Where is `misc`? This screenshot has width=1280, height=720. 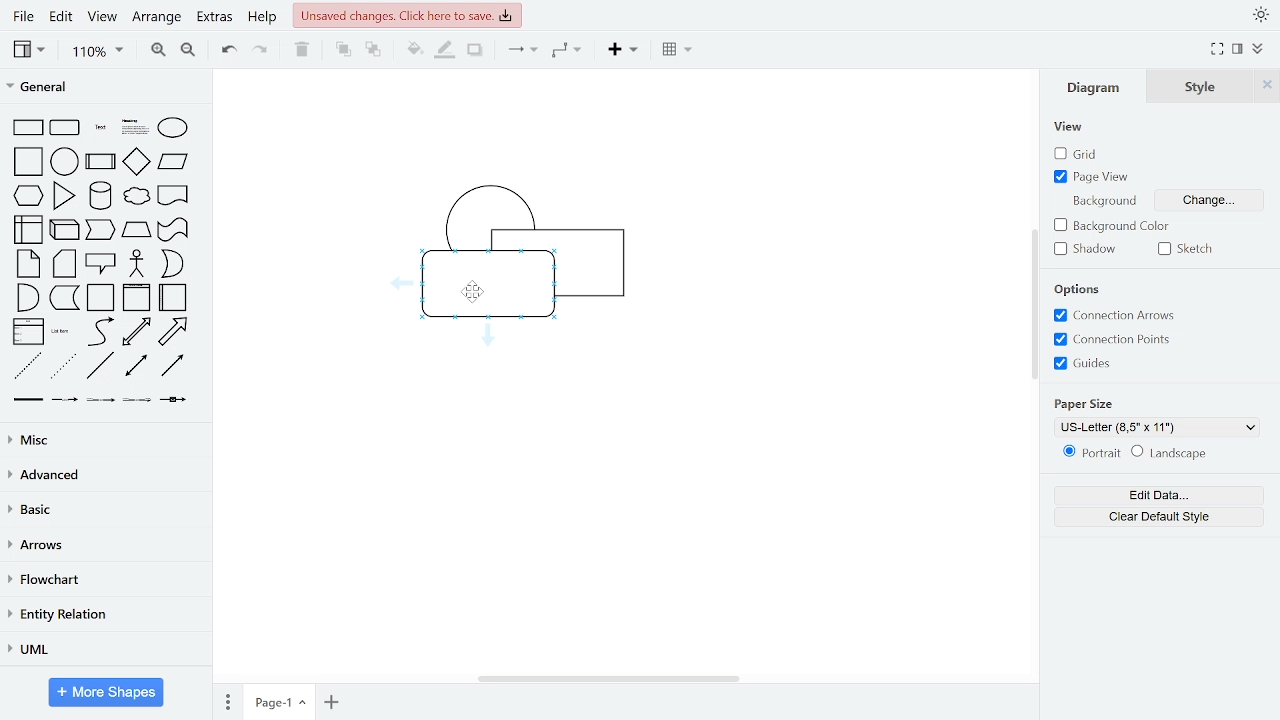
misc is located at coordinates (107, 438).